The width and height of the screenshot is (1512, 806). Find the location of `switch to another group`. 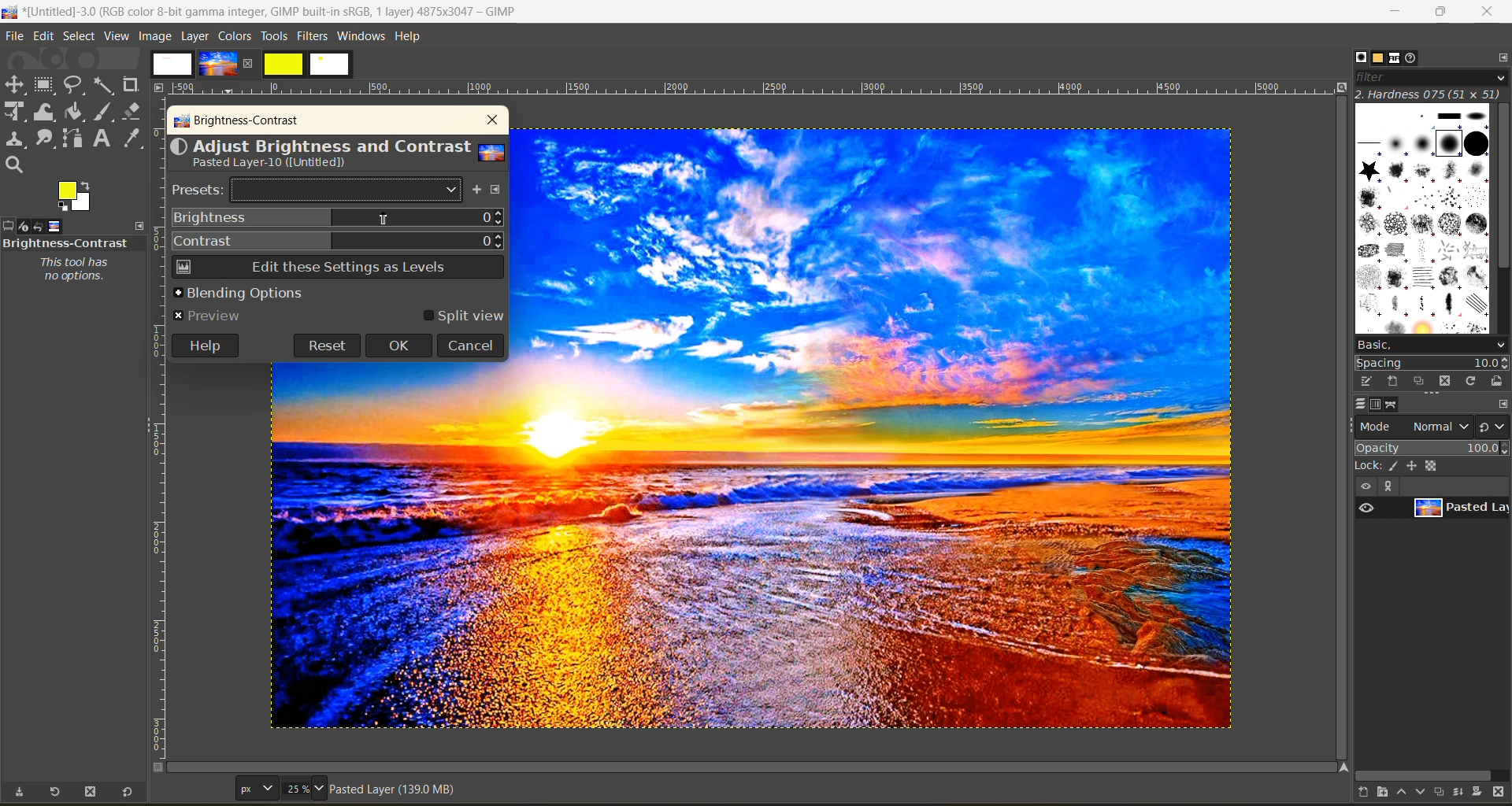

switch to another group is located at coordinates (1494, 430).